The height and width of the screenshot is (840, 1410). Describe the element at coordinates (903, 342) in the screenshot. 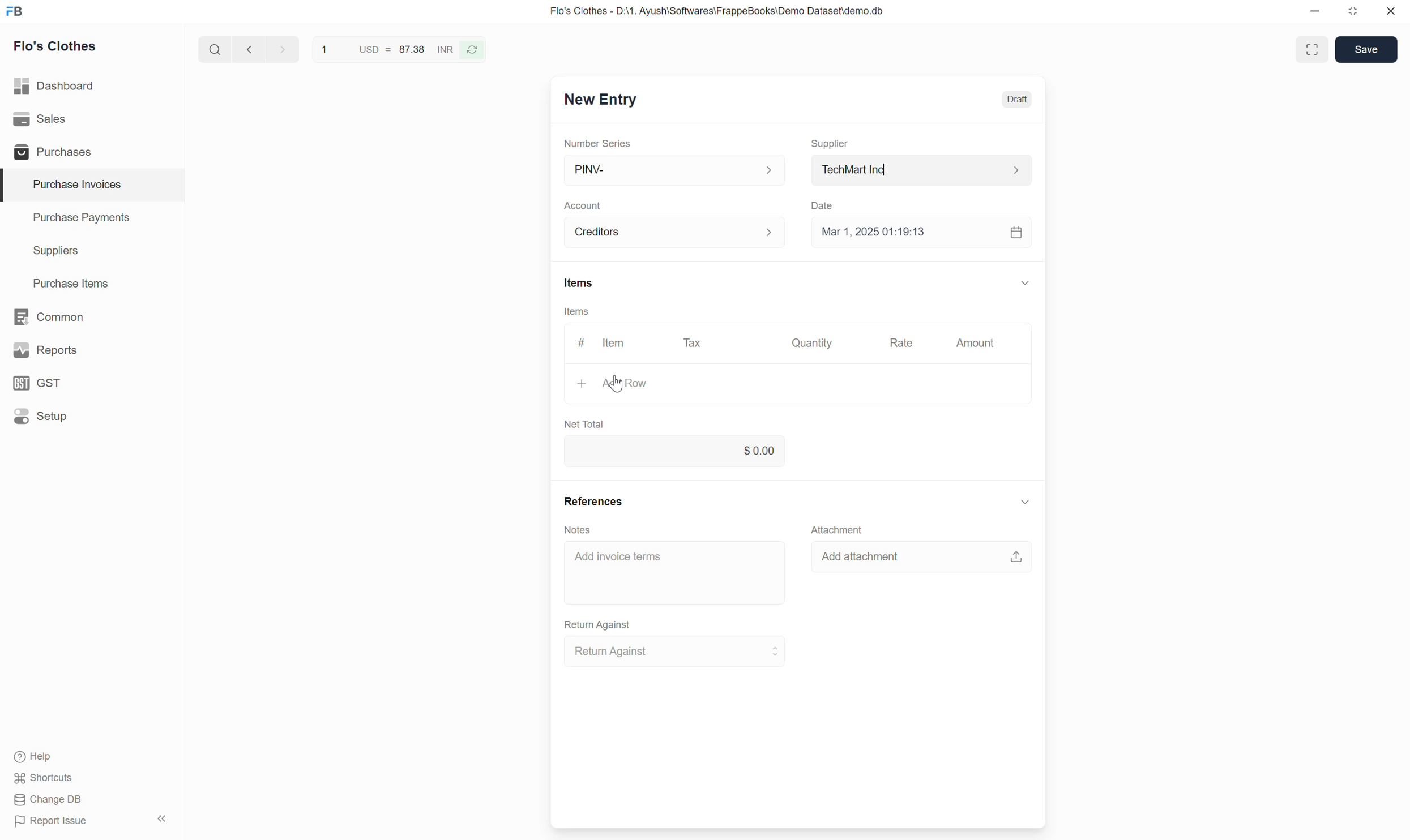

I see `Rate` at that location.